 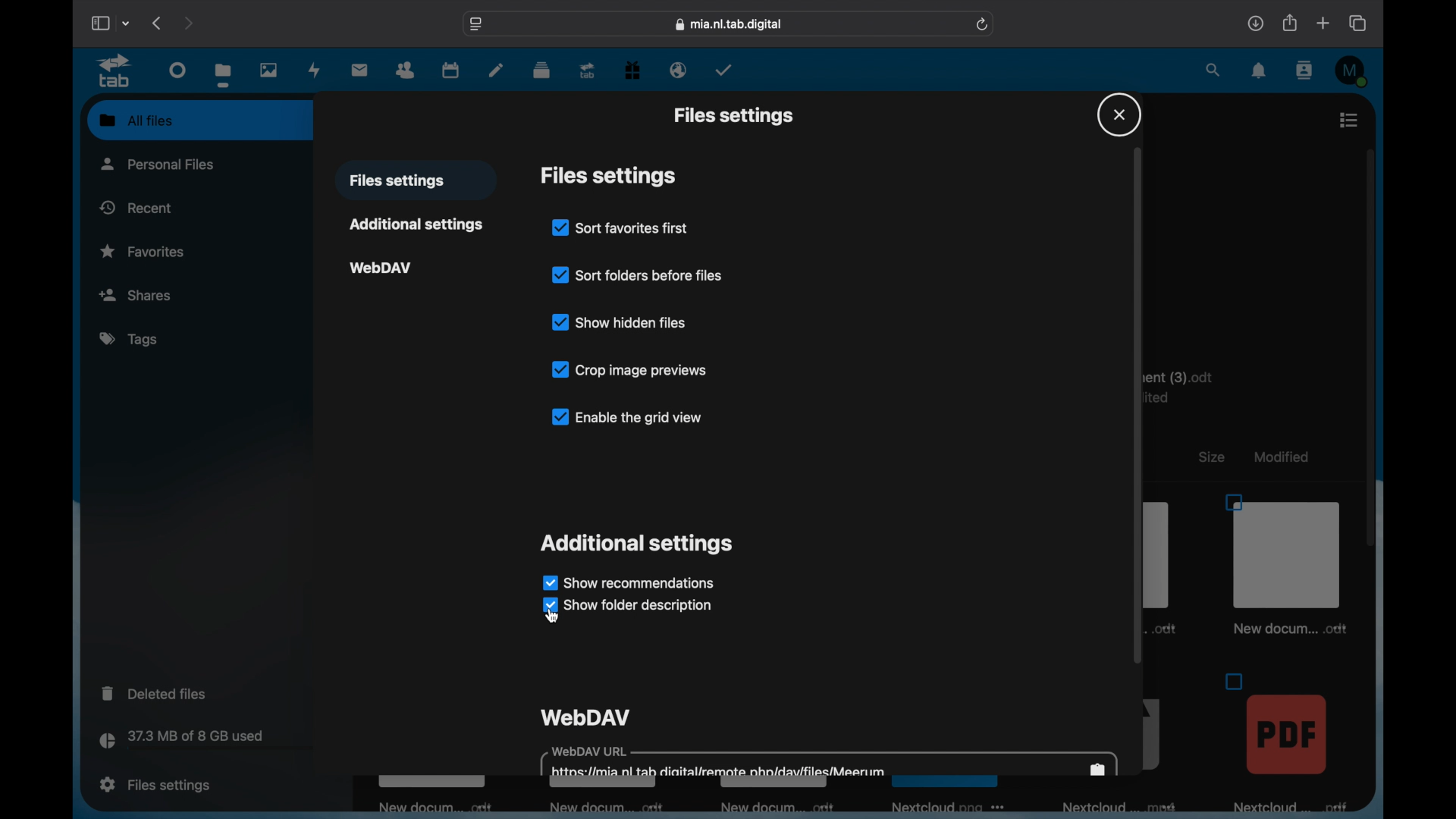 I want to click on mail, so click(x=359, y=69).